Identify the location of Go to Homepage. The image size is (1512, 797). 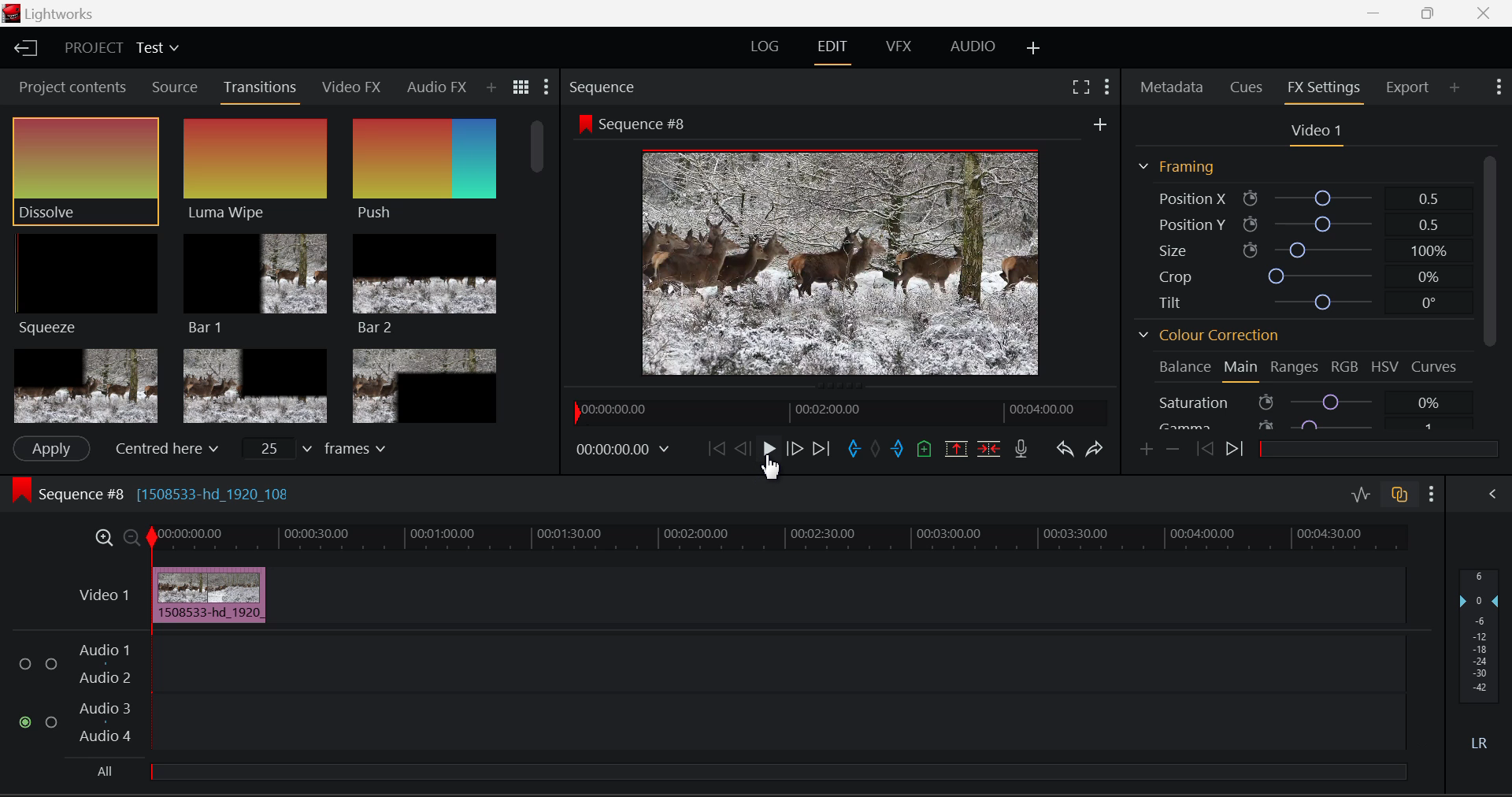
(27, 50).